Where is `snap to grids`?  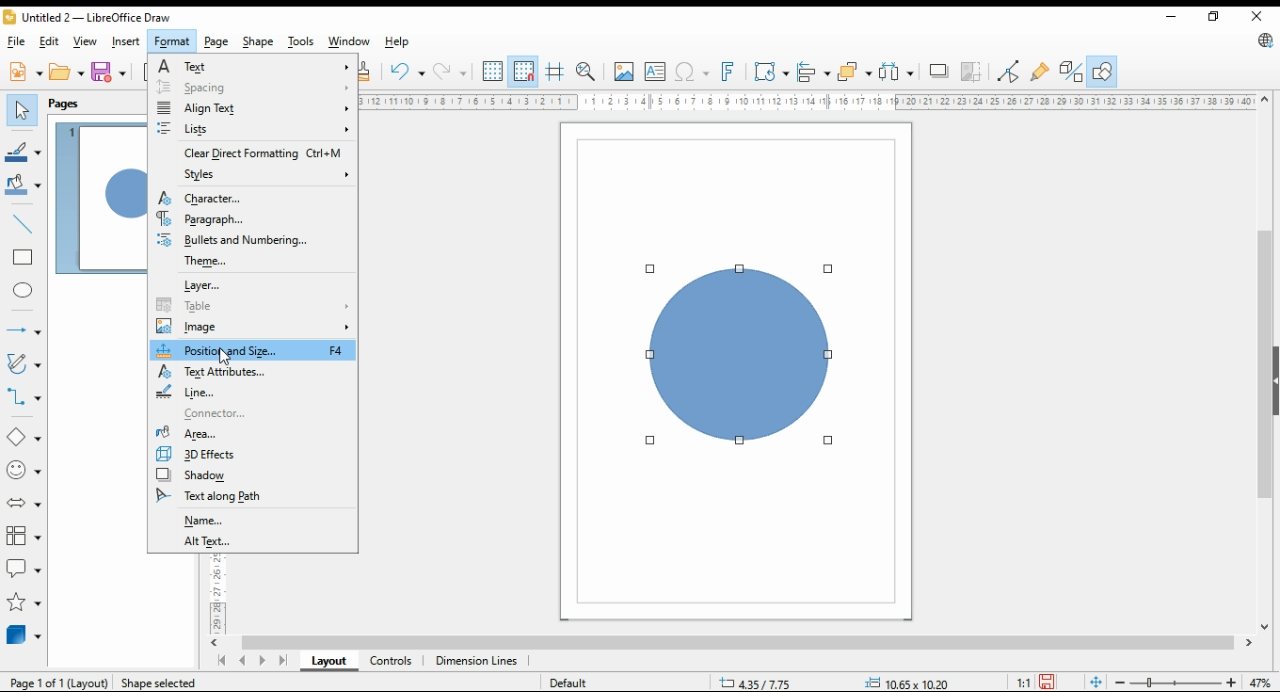
snap to grids is located at coordinates (524, 72).